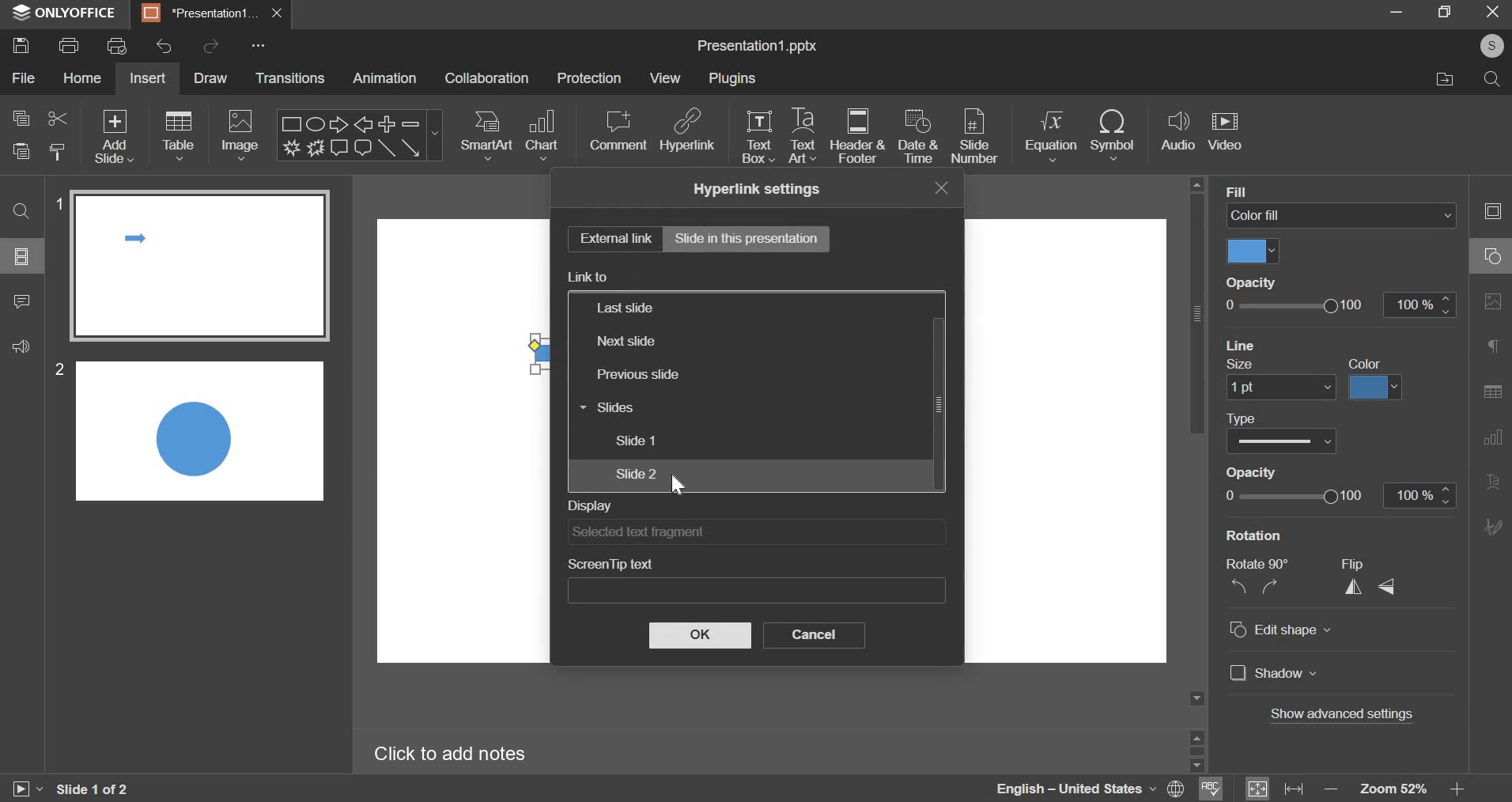 The width and height of the screenshot is (1512, 802). I want to click on 2, so click(59, 370).